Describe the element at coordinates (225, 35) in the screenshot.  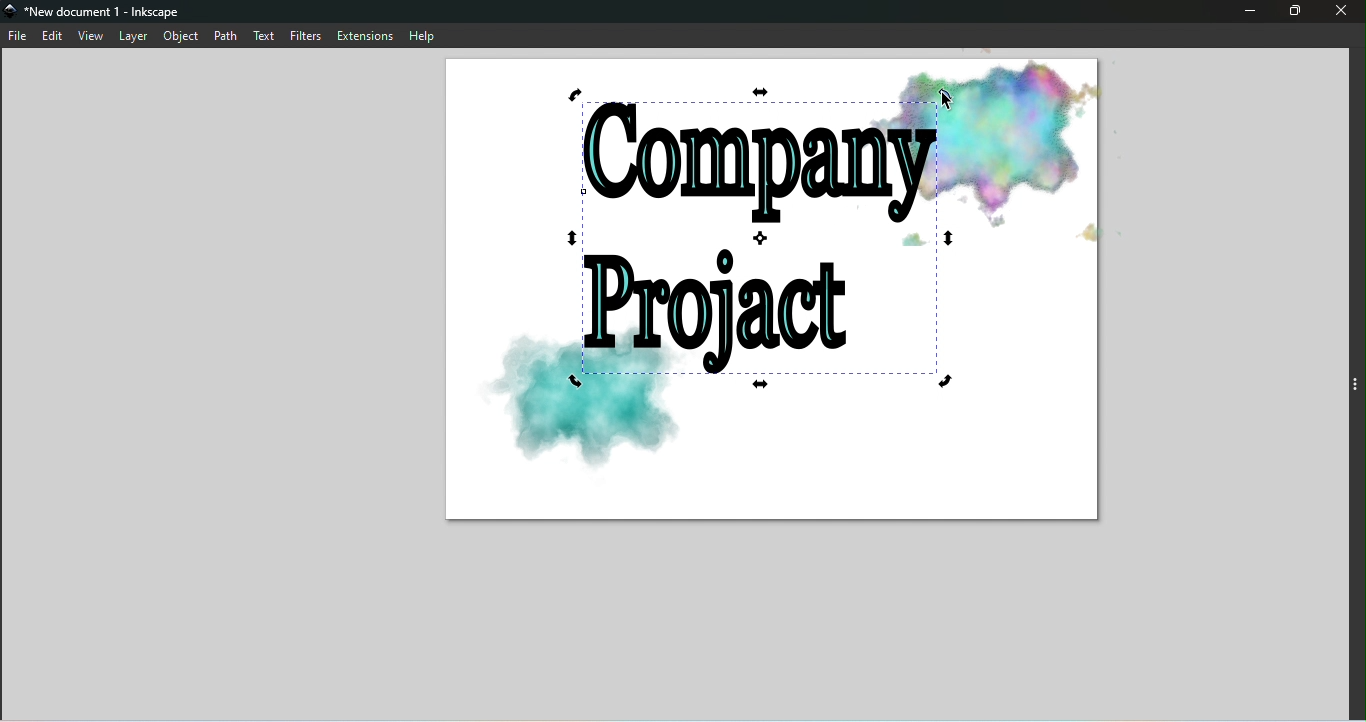
I see `Path` at that location.